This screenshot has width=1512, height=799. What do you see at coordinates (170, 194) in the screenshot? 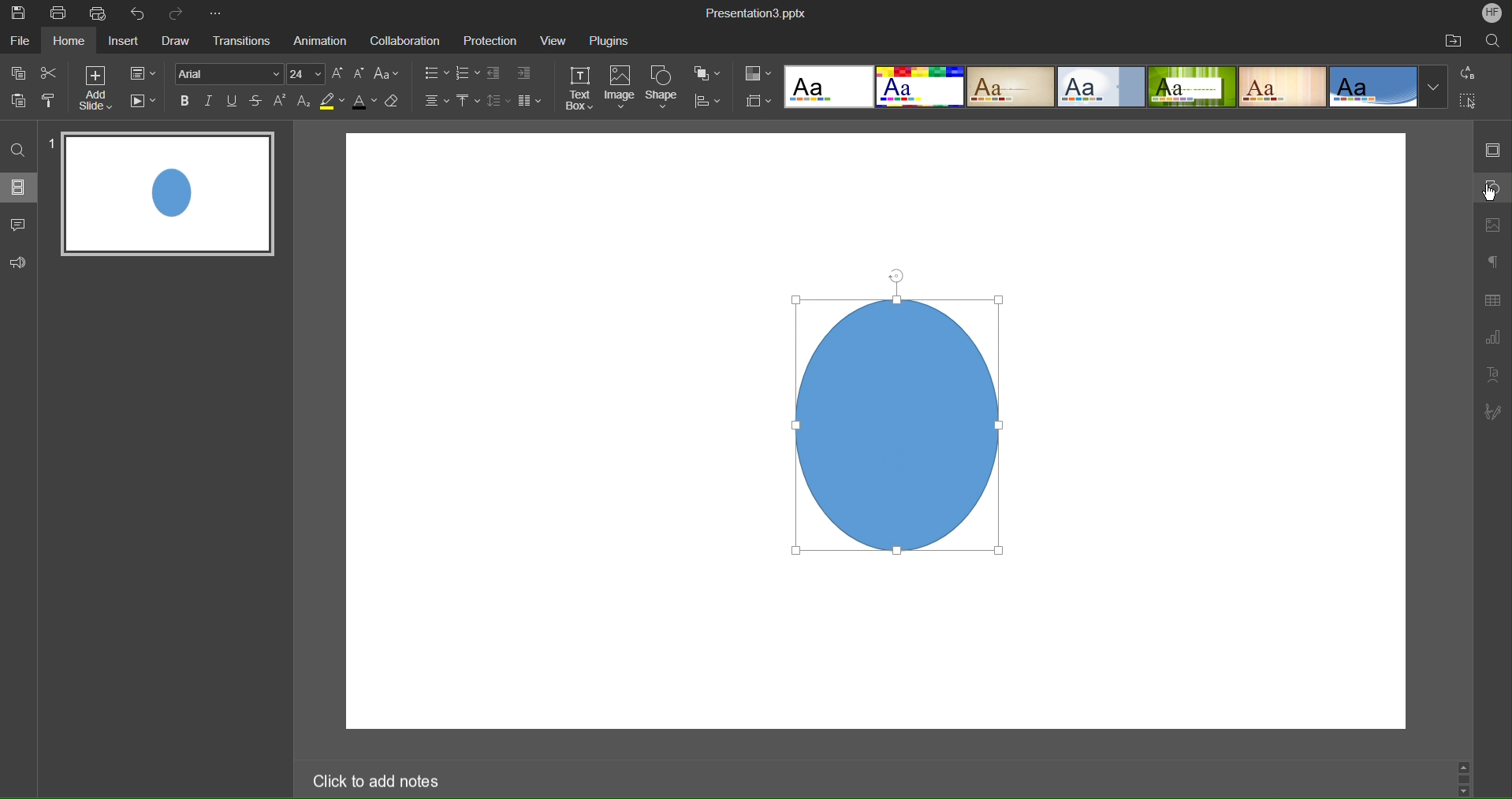
I see `Slide` at bounding box center [170, 194].